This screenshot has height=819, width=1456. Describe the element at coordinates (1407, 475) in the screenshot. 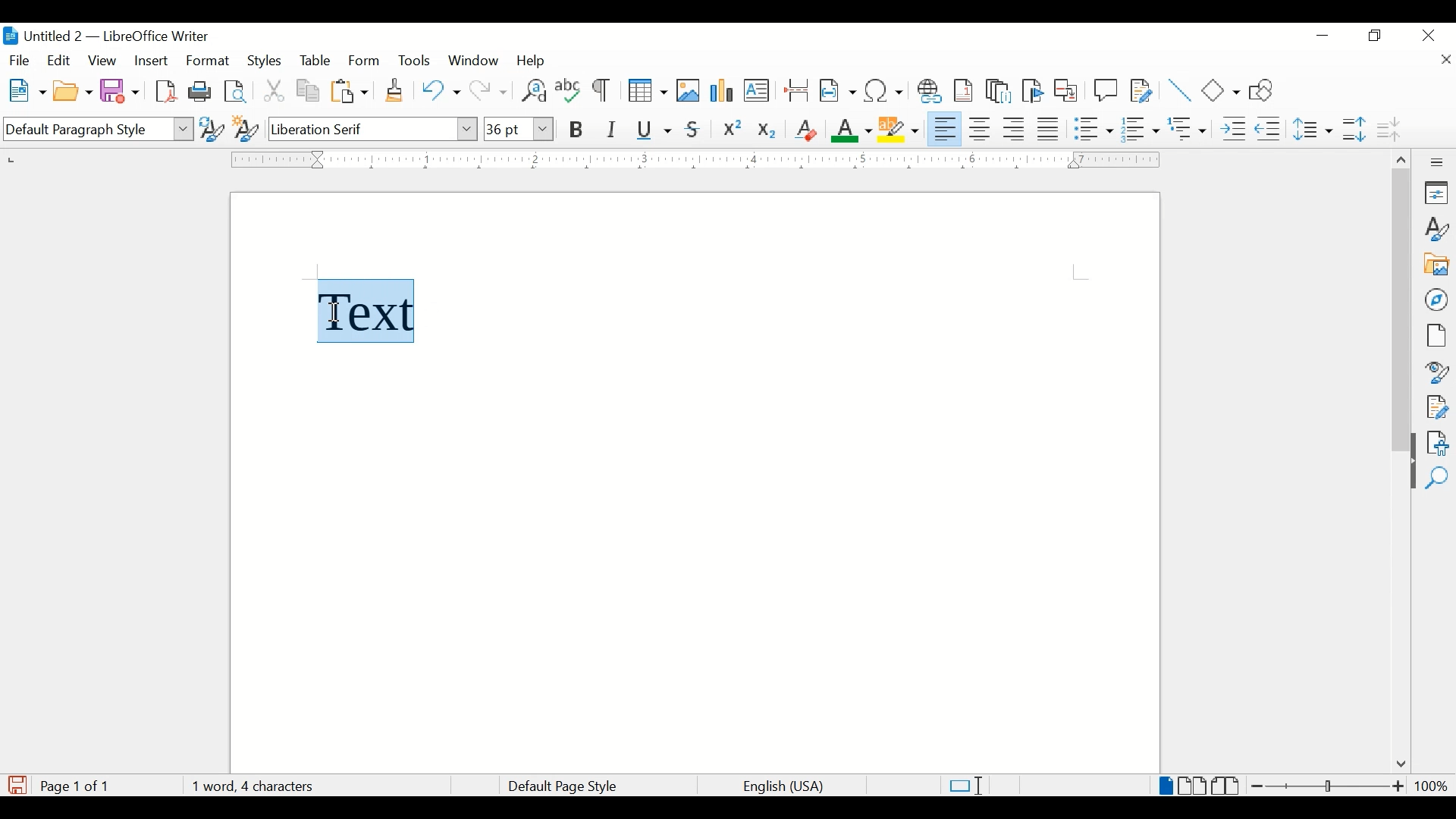

I see `drag handle` at that location.